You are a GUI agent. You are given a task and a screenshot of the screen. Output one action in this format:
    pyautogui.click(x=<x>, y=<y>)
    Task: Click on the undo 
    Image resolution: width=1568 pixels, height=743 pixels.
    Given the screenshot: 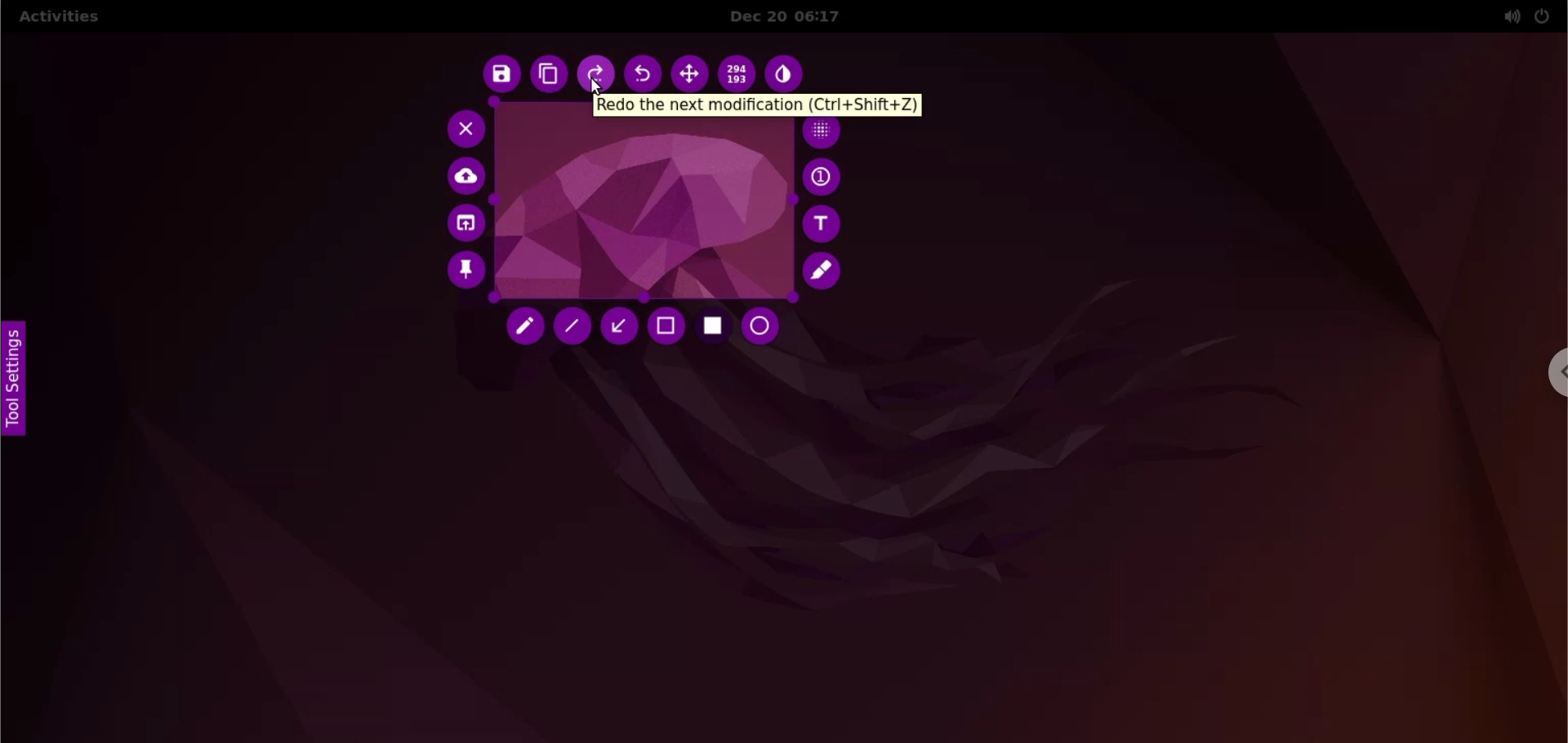 What is the action you would take?
    pyautogui.click(x=644, y=74)
    